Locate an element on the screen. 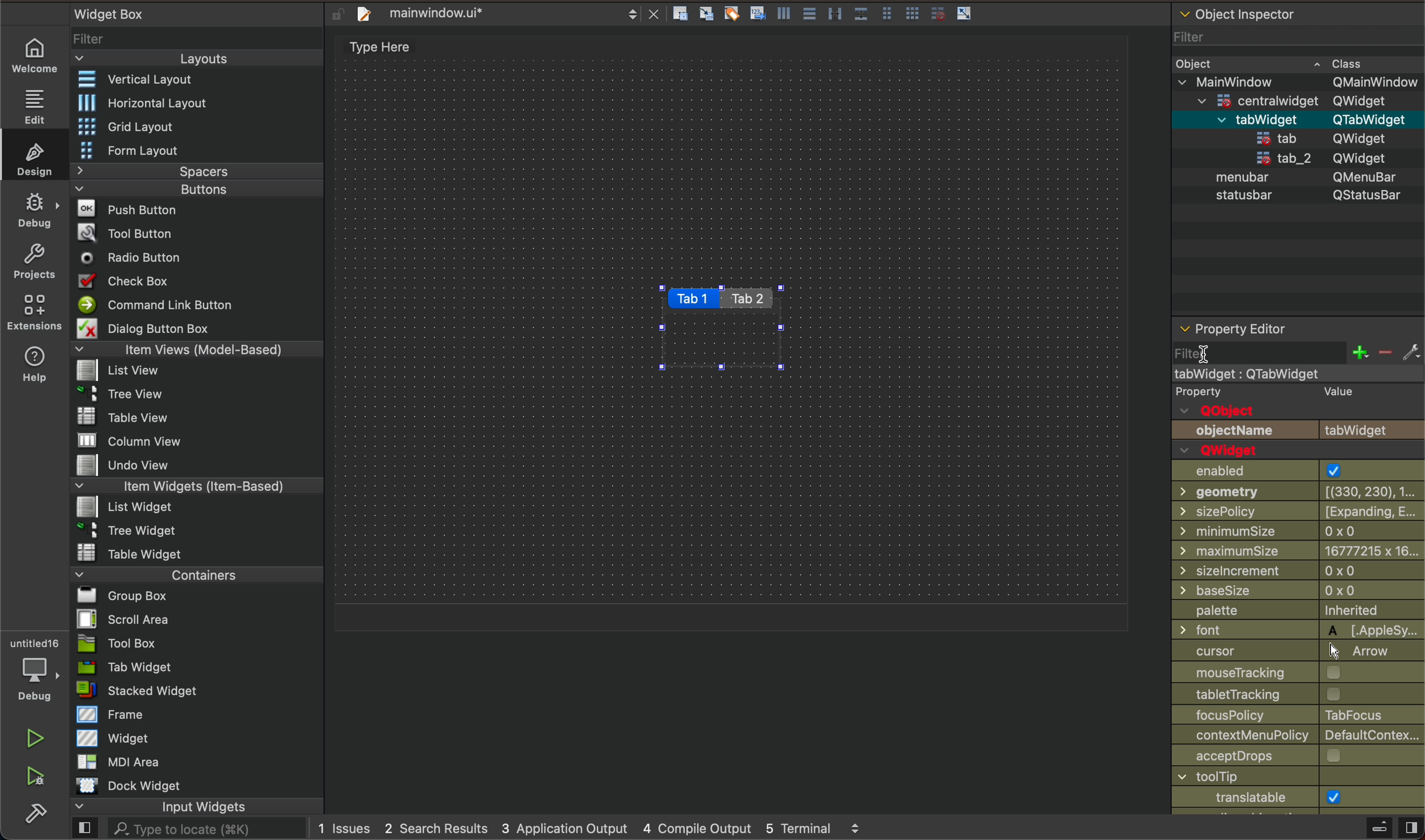  Widget Box is located at coordinates (105, 14).